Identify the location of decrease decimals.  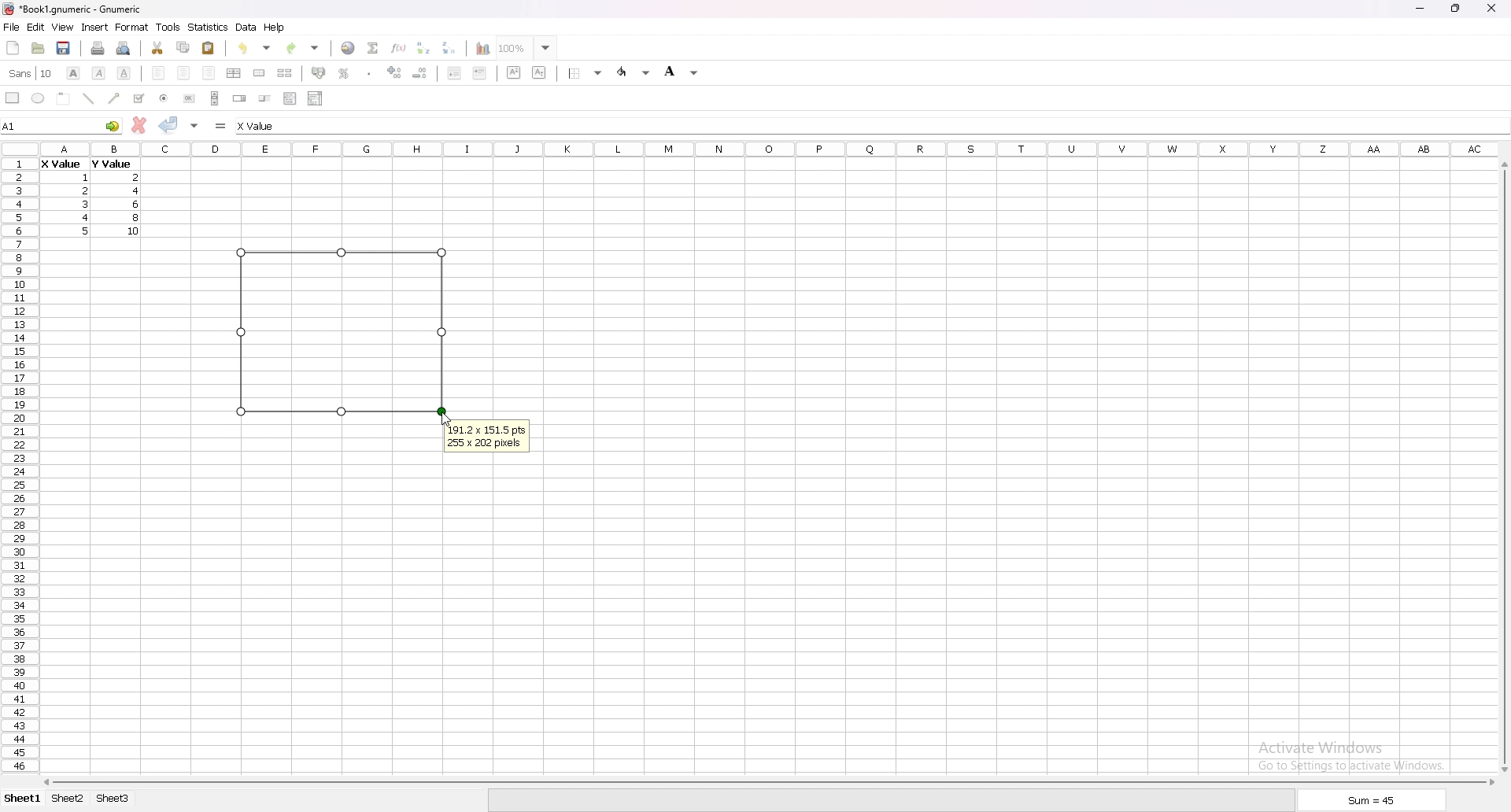
(420, 73).